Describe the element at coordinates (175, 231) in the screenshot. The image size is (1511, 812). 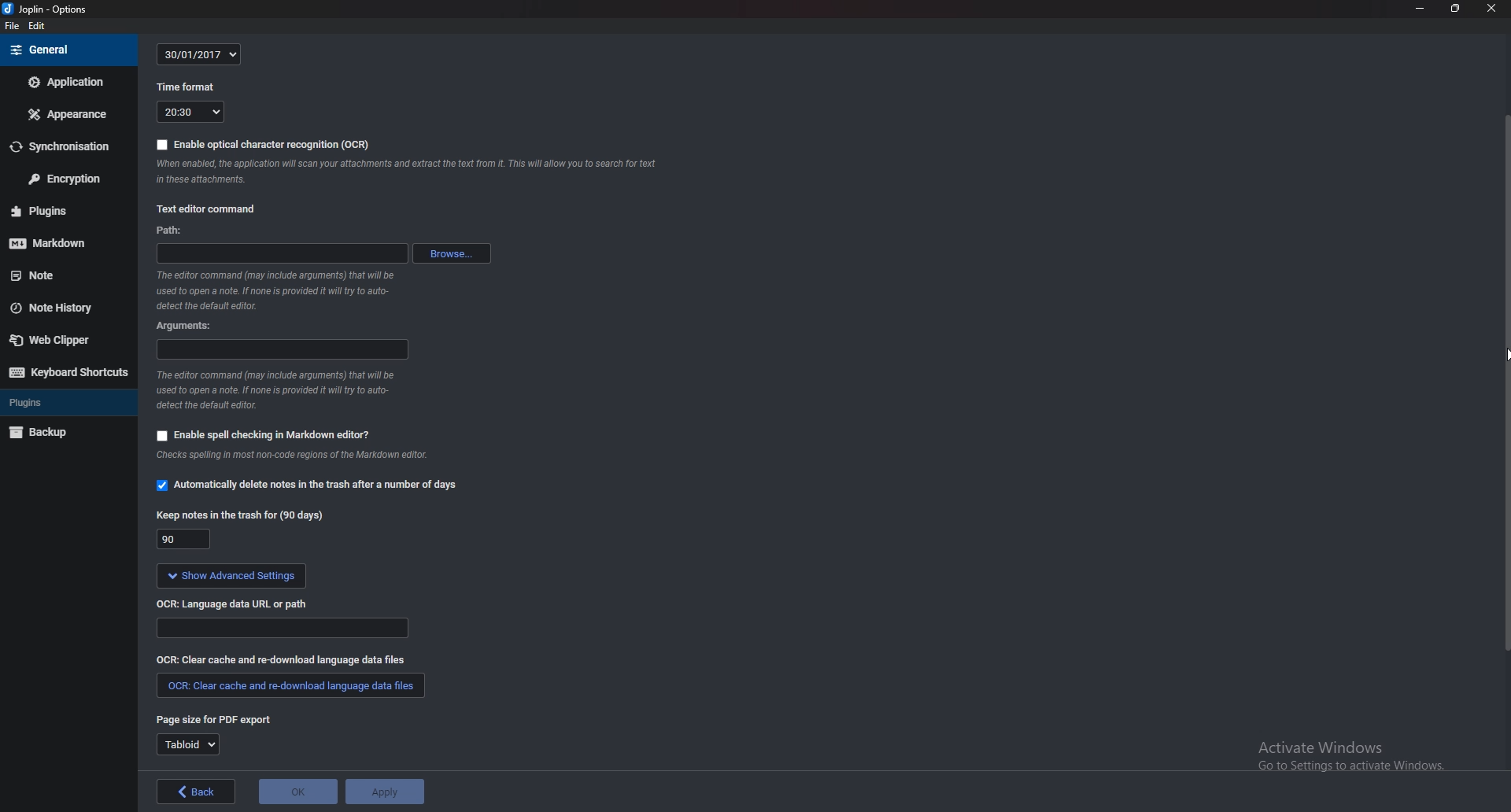
I see `path` at that location.